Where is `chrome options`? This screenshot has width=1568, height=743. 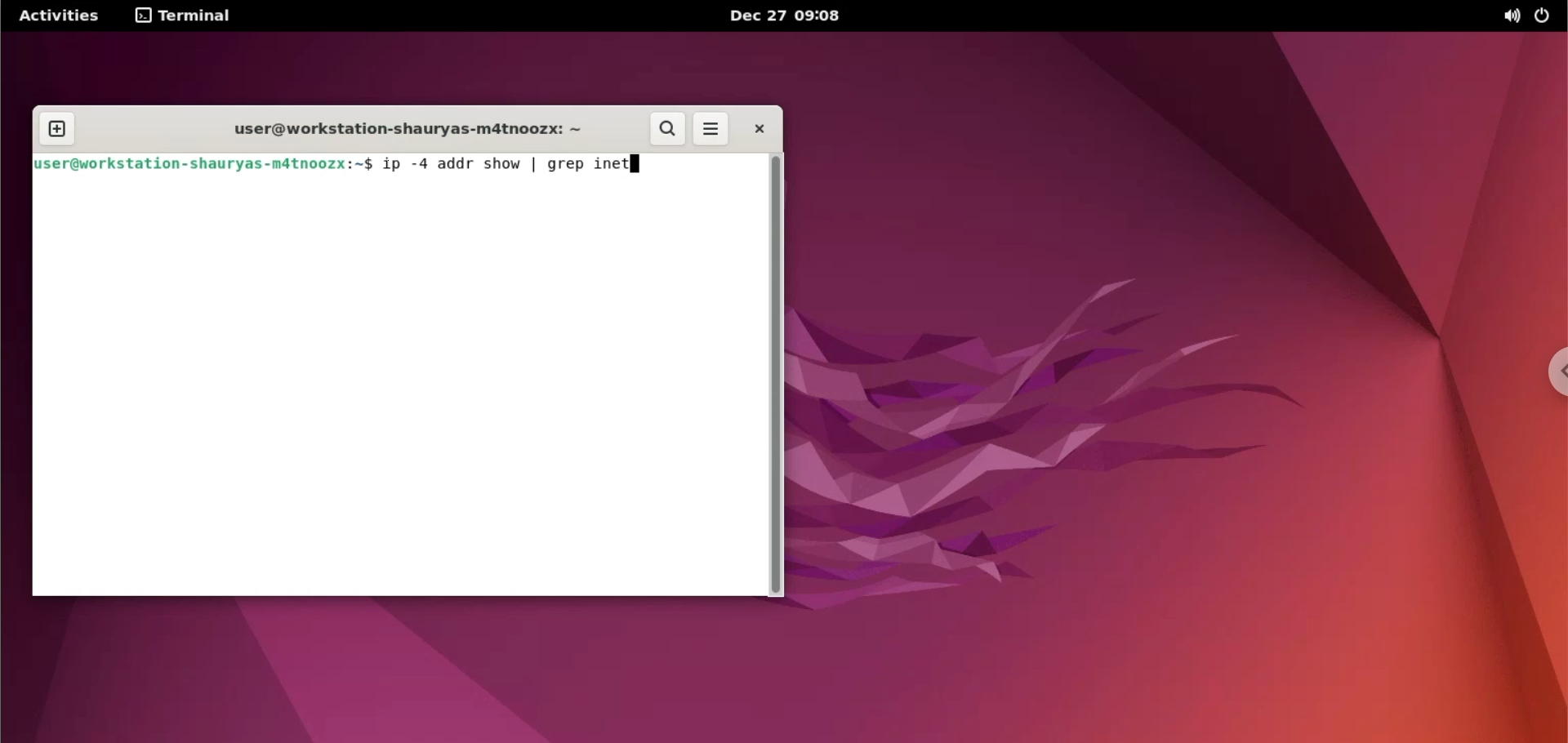 chrome options is located at coordinates (1554, 374).